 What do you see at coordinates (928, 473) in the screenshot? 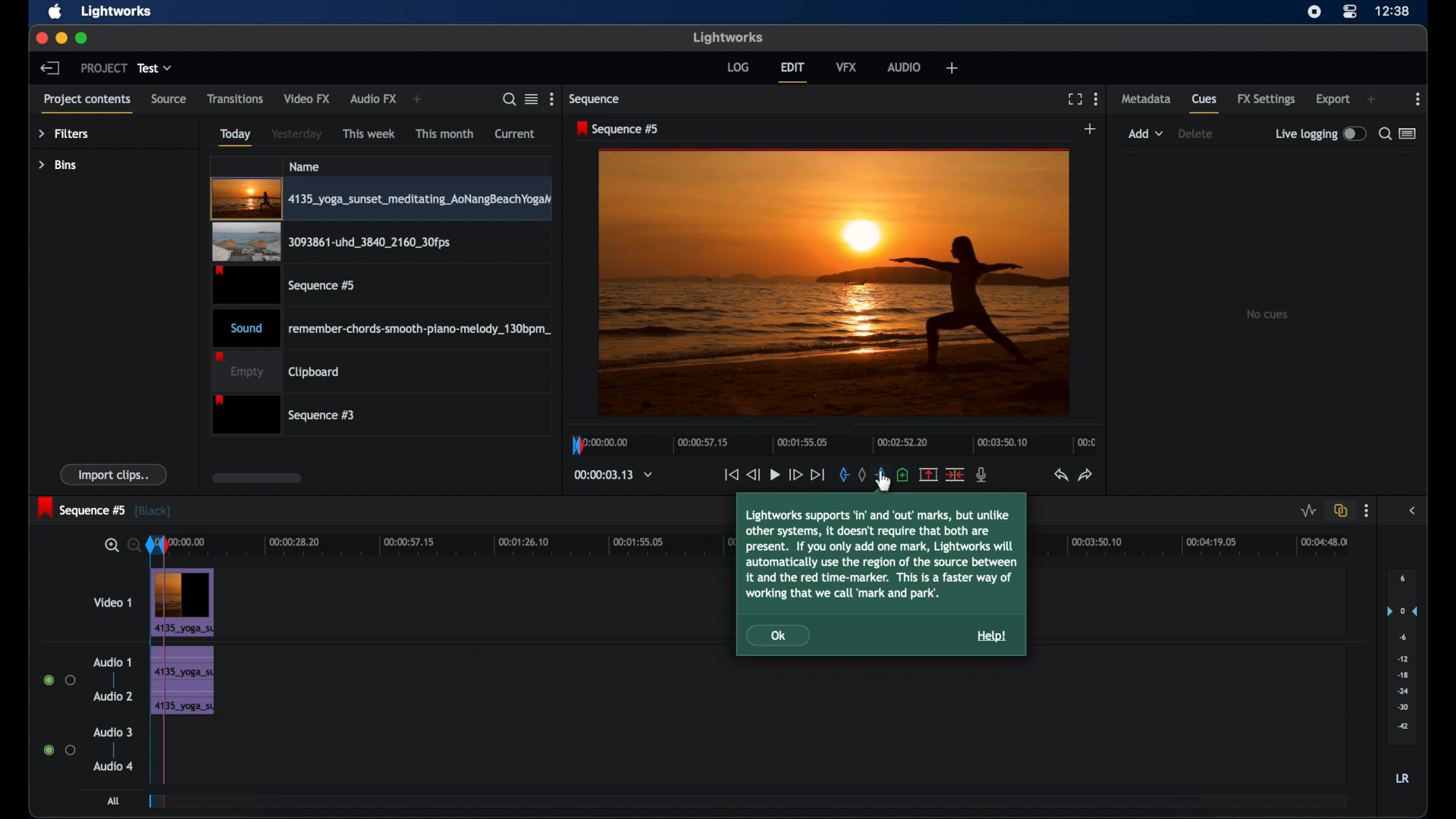
I see `` at bounding box center [928, 473].